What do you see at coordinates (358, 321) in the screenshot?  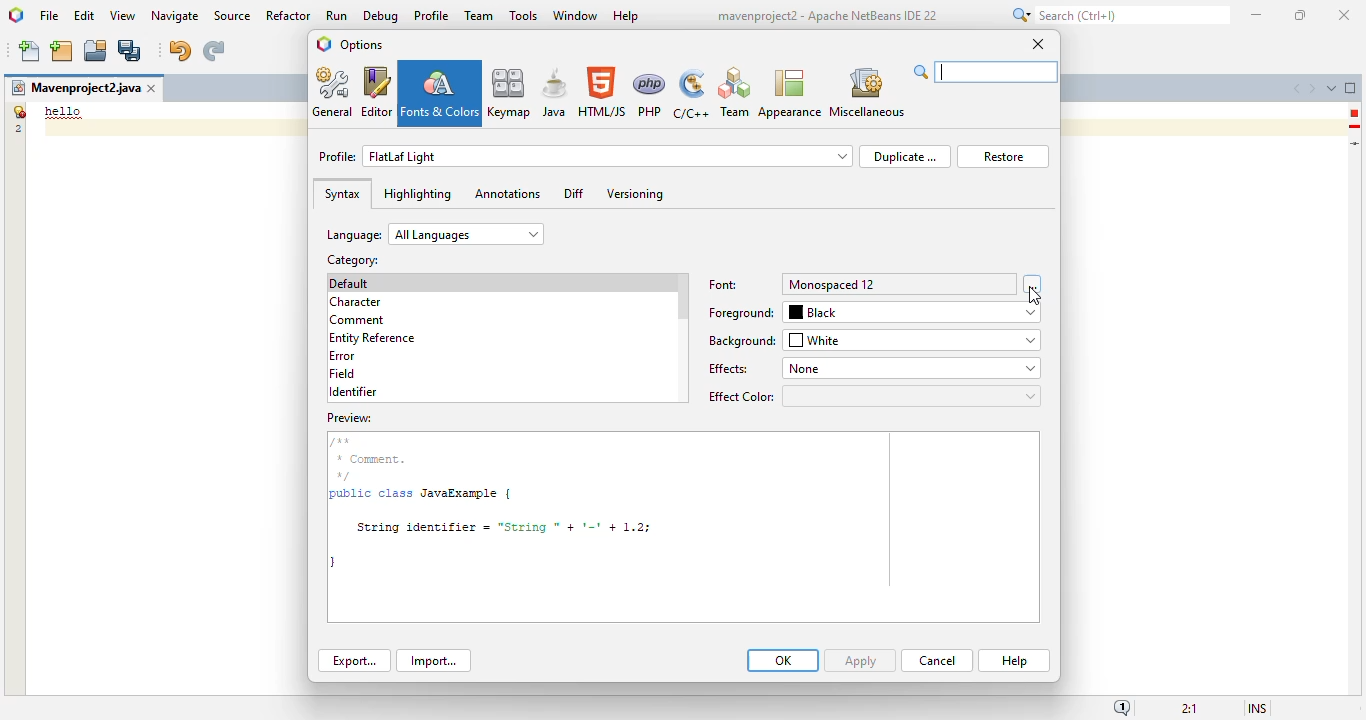 I see `comment` at bounding box center [358, 321].